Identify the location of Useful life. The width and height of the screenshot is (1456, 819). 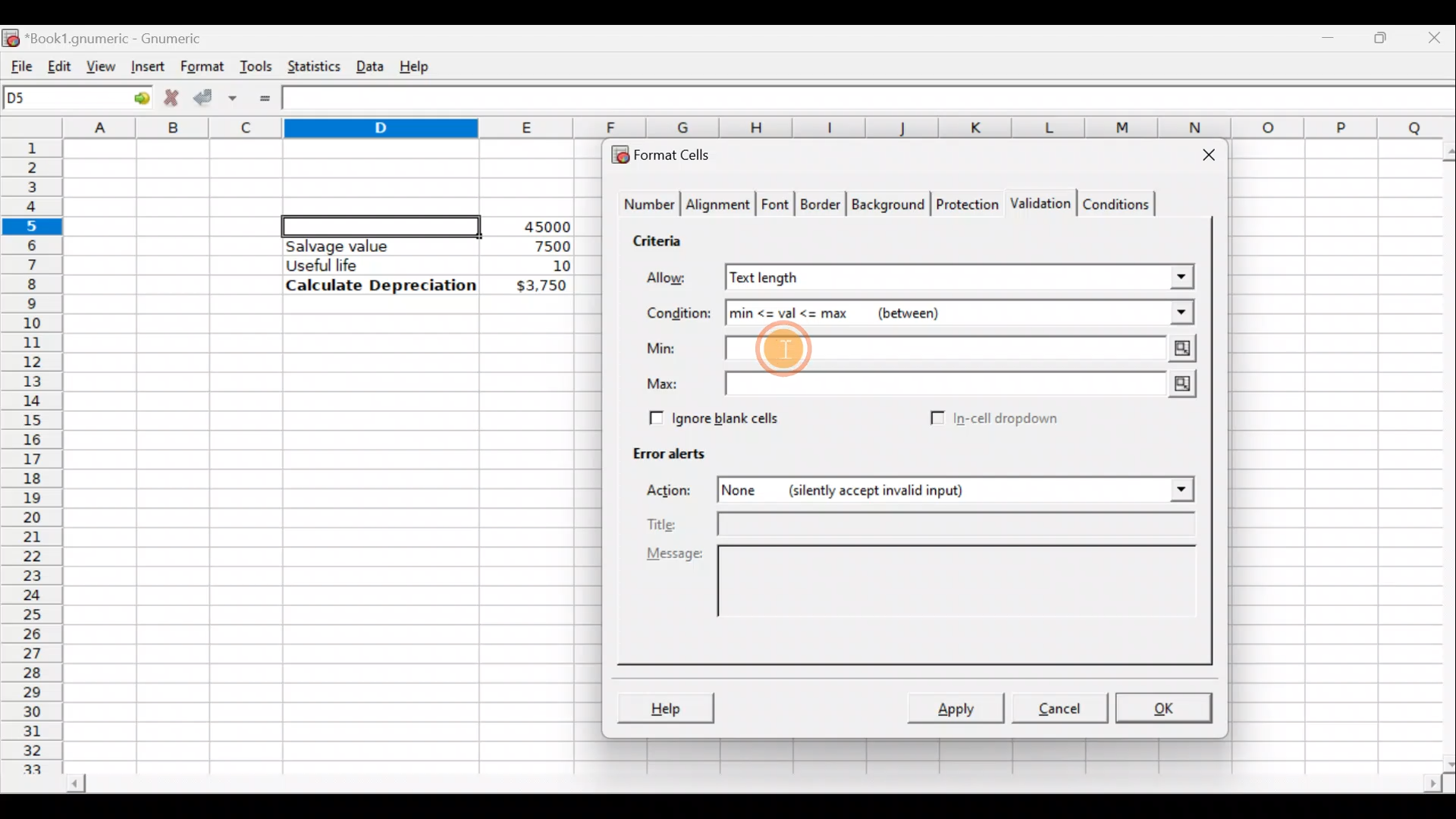
(372, 265).